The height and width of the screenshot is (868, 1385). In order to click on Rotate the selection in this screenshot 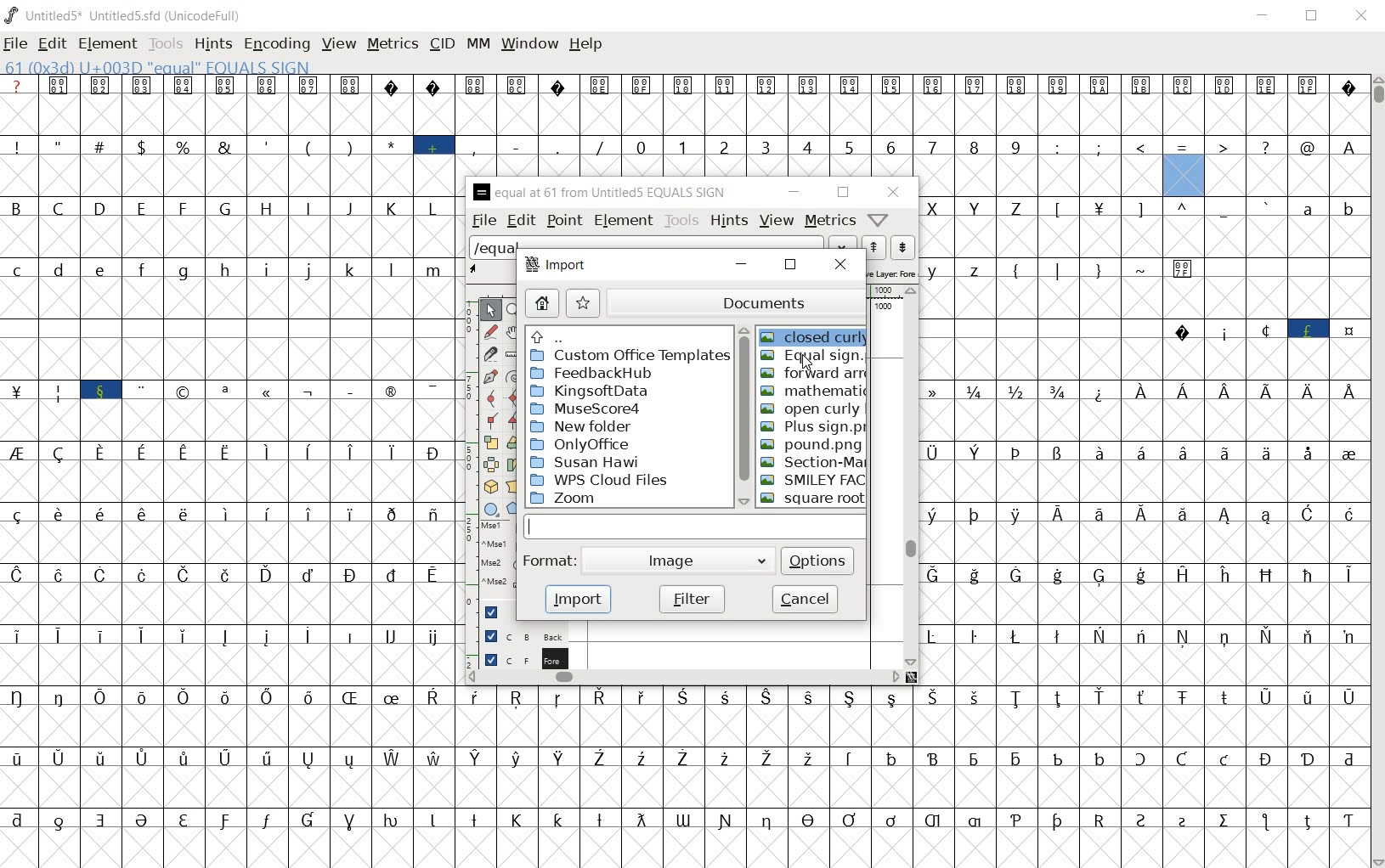, I will do `click(514, 444)`.